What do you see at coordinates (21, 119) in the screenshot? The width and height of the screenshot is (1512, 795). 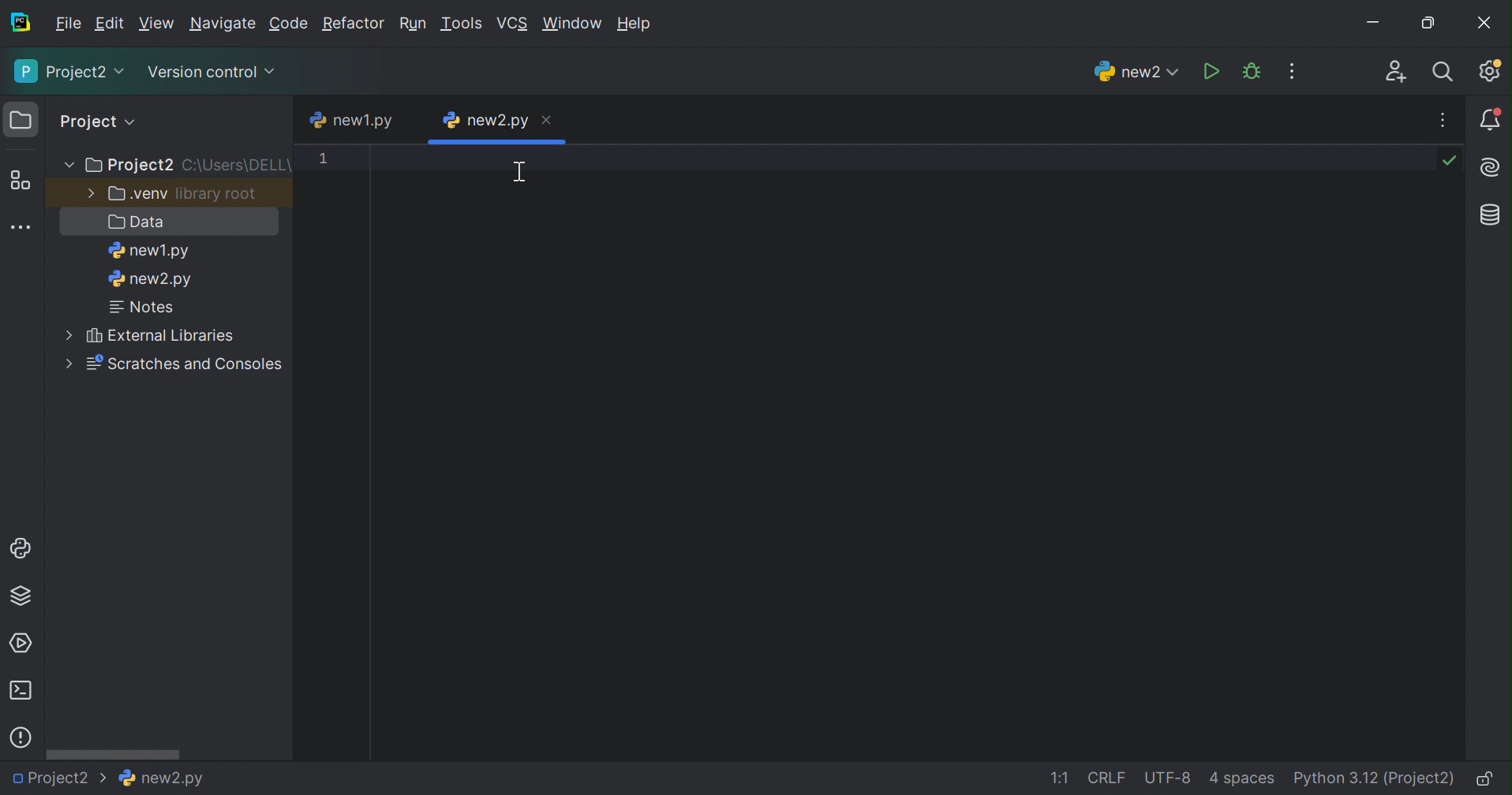 I see `Folder icon` at bounding box center [21, 119].